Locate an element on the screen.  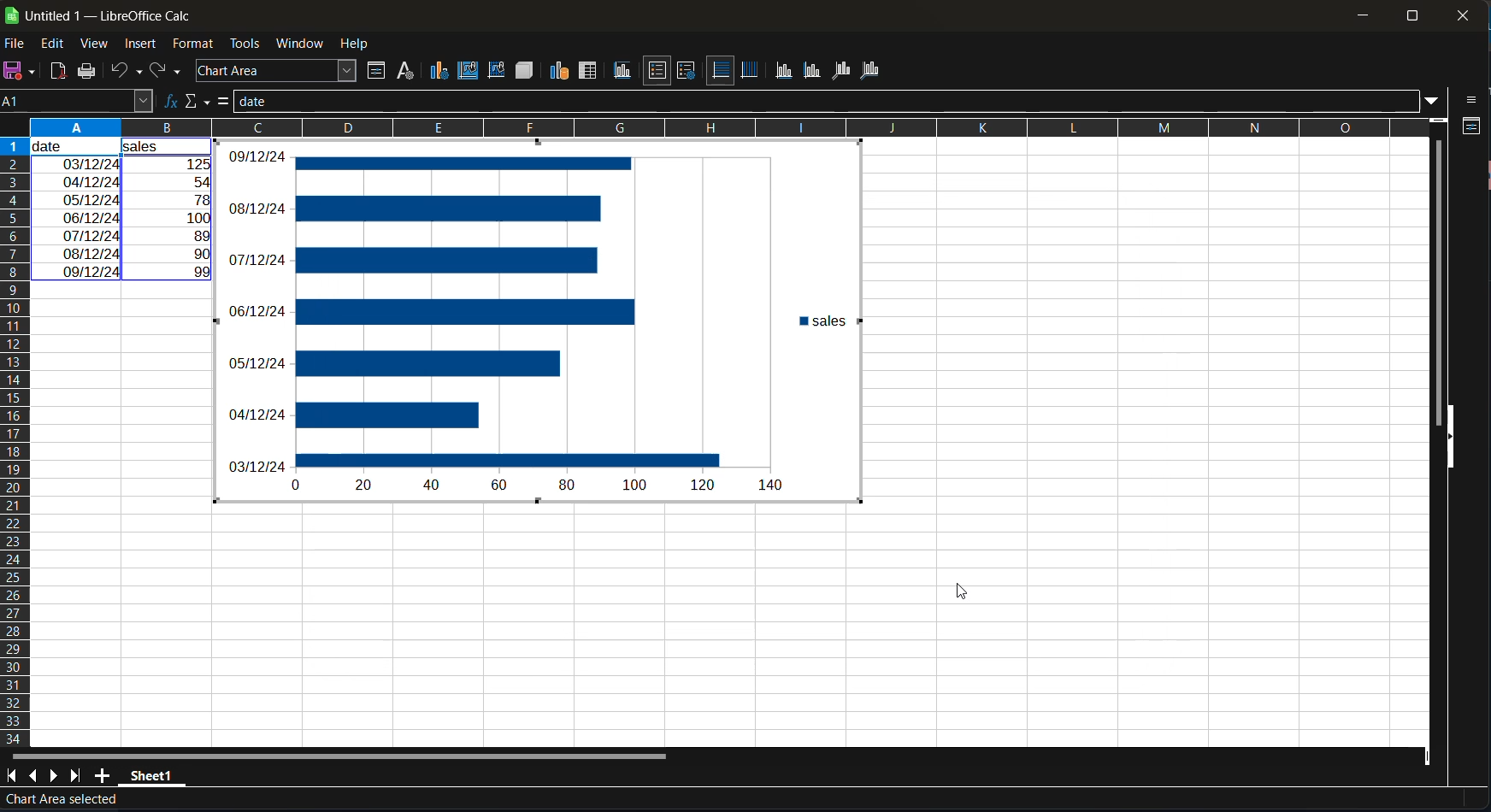
columns is located at coordinates (16, 438).